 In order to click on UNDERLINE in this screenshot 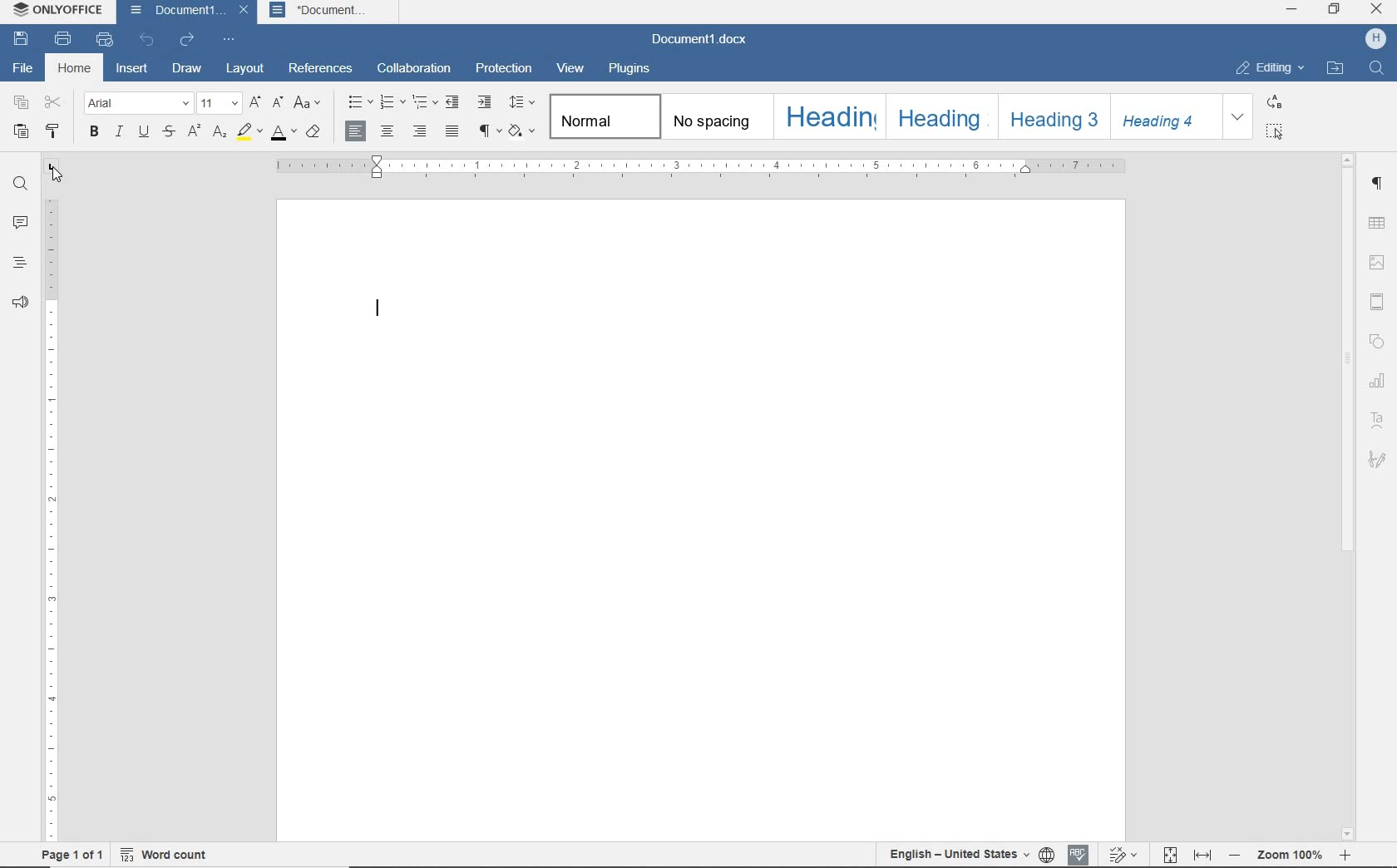, I will do `click(142, 133)`.